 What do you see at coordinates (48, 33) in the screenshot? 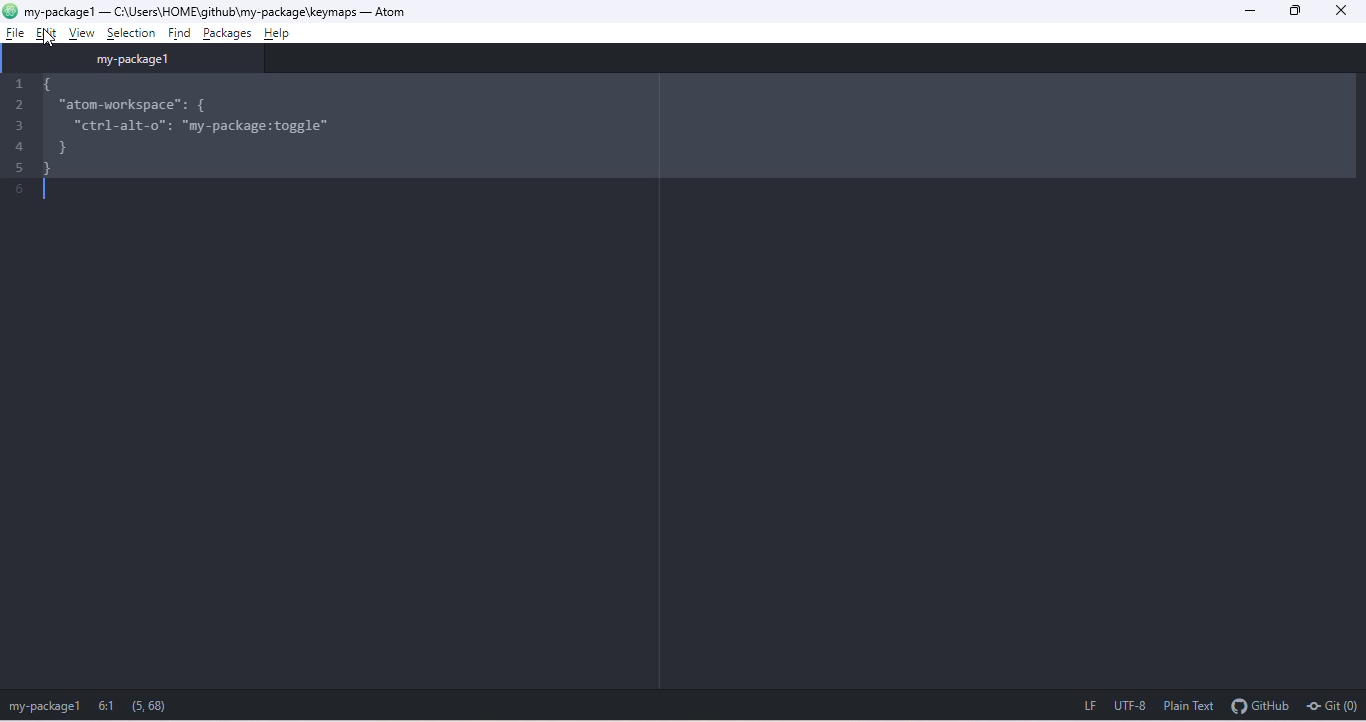
I see `cursor movement` at bounding box center [48, 33].